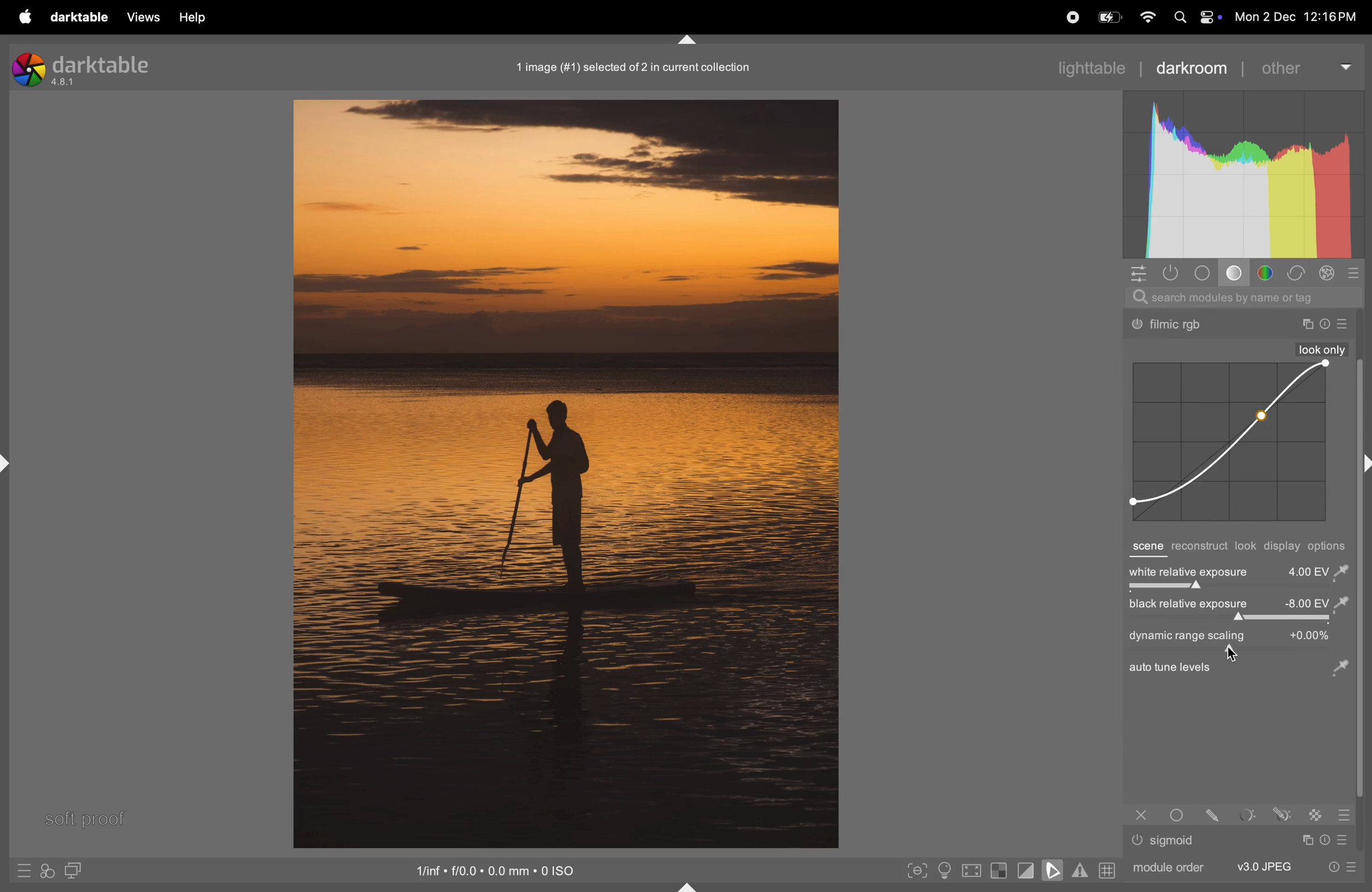  I want to click on toggle focus peaking mode, so click(918, 869).